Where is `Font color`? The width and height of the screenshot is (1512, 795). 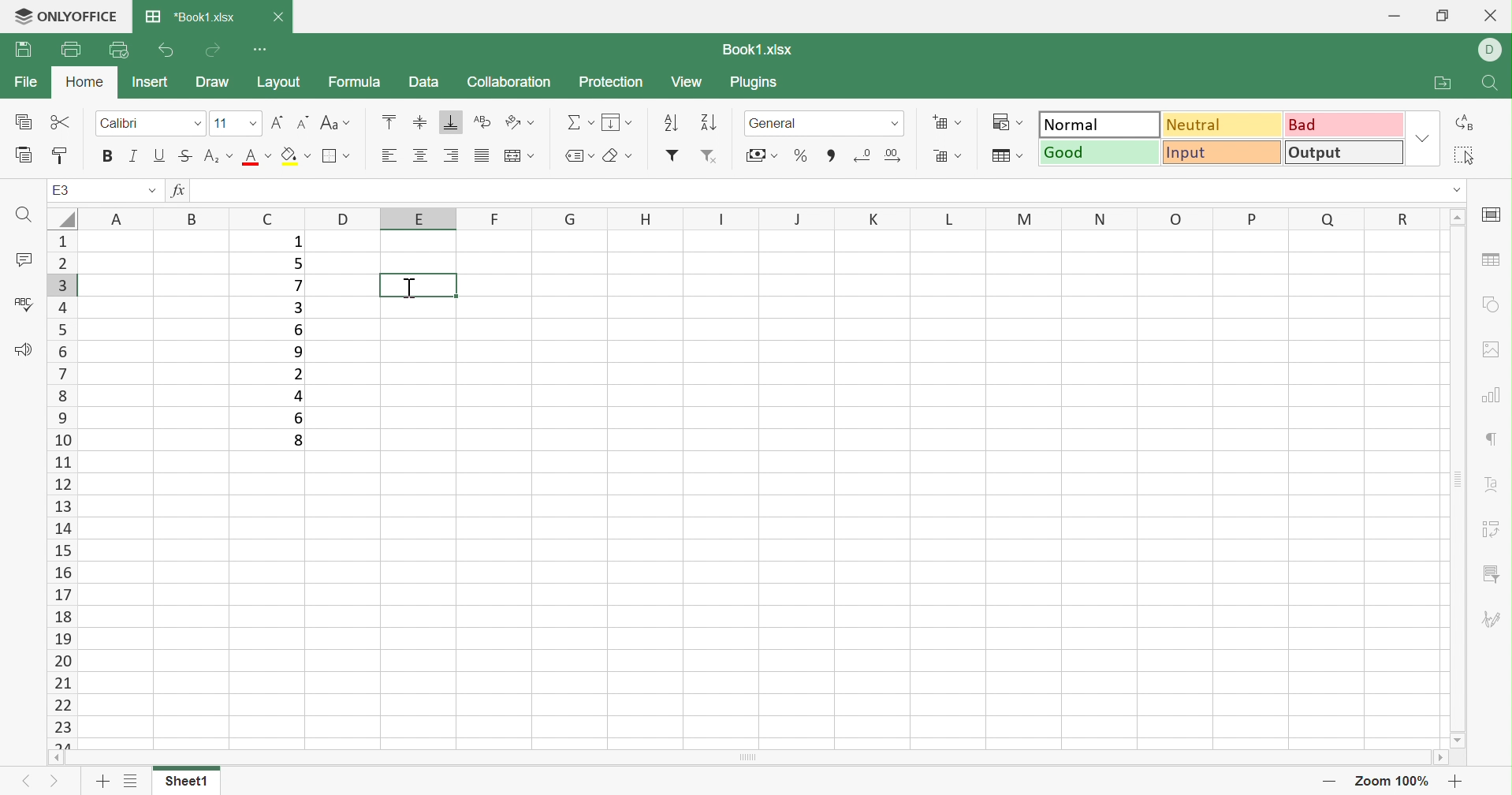 Font color is located at coordinates (259, 155).